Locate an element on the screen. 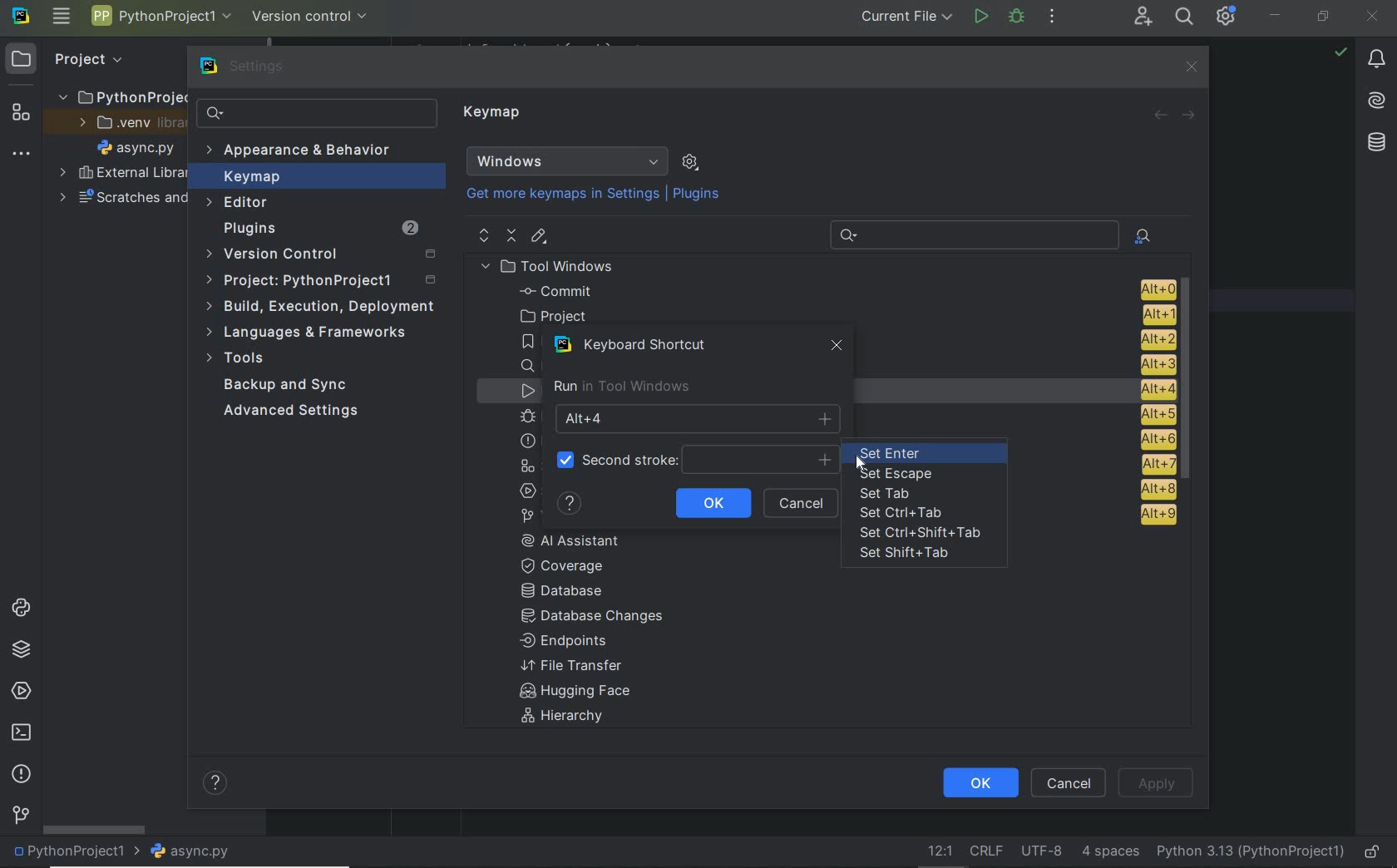 This screenshot has width=1397, height=868. set Shift+Tab is located at coordinates (906, 555).